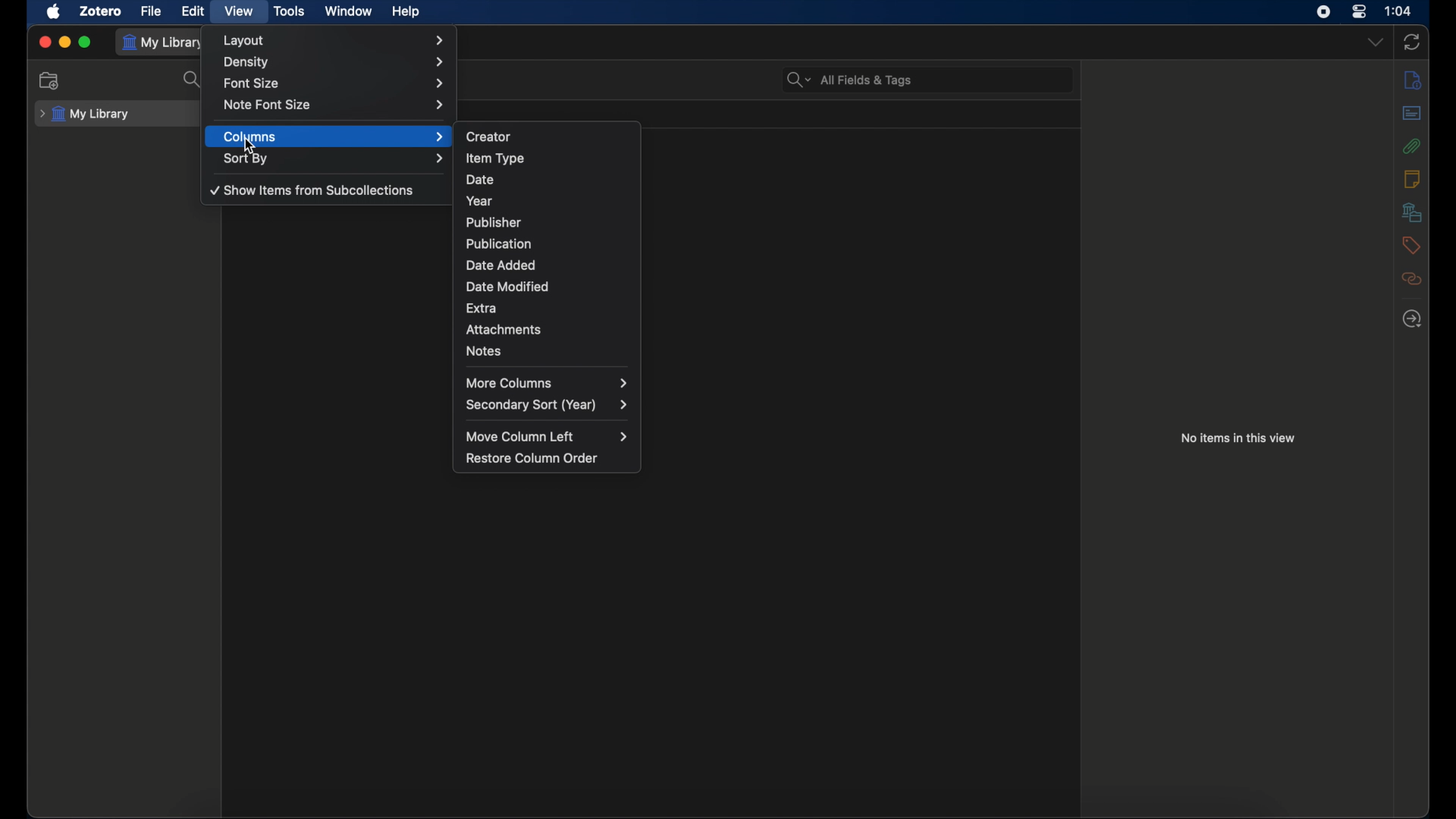  Describe the element at coordinates (334, 41) in the screenshot. I see `layout` at that location.